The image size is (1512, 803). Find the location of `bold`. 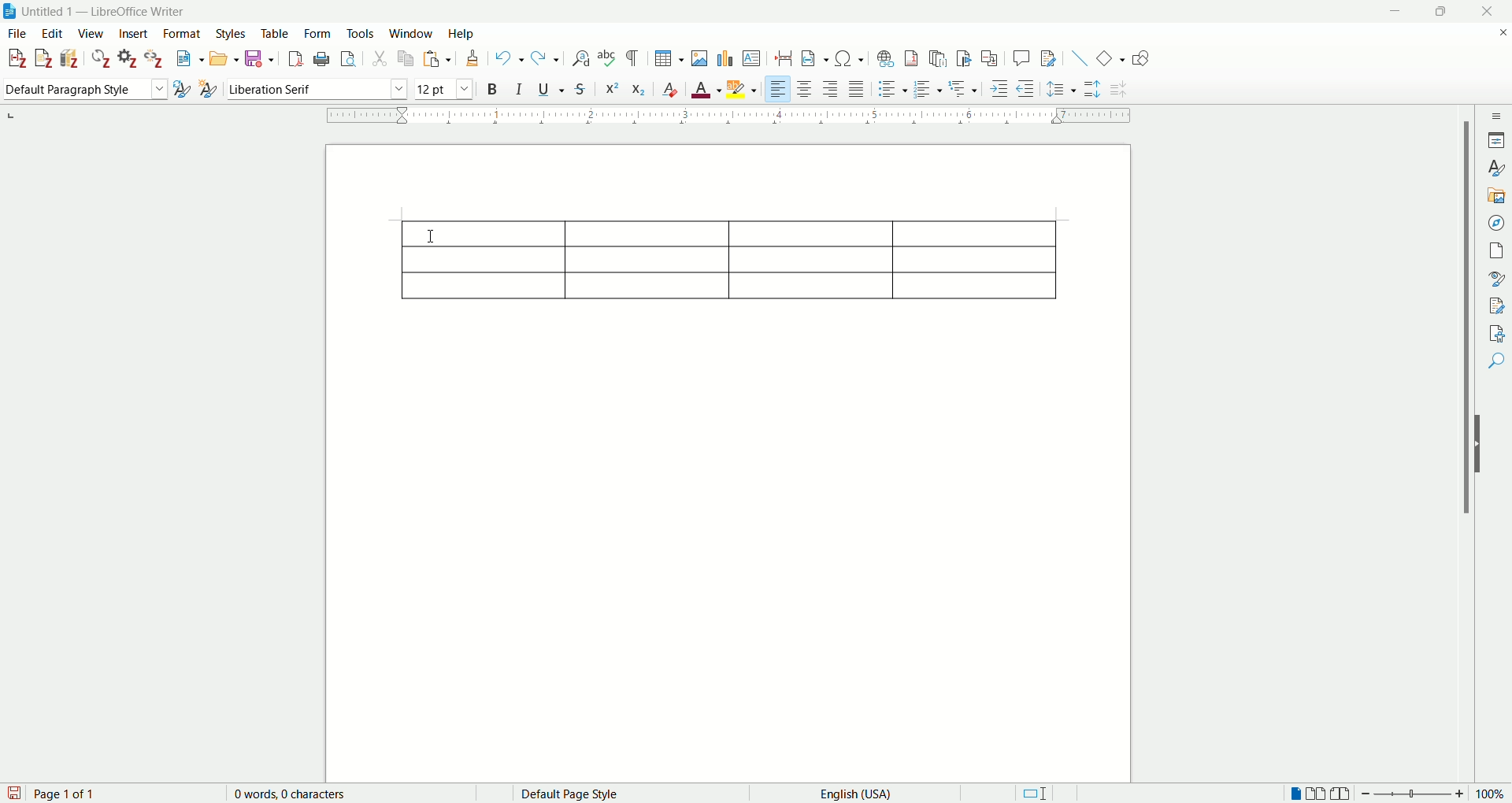

bold is located at coordinates (492, 89).